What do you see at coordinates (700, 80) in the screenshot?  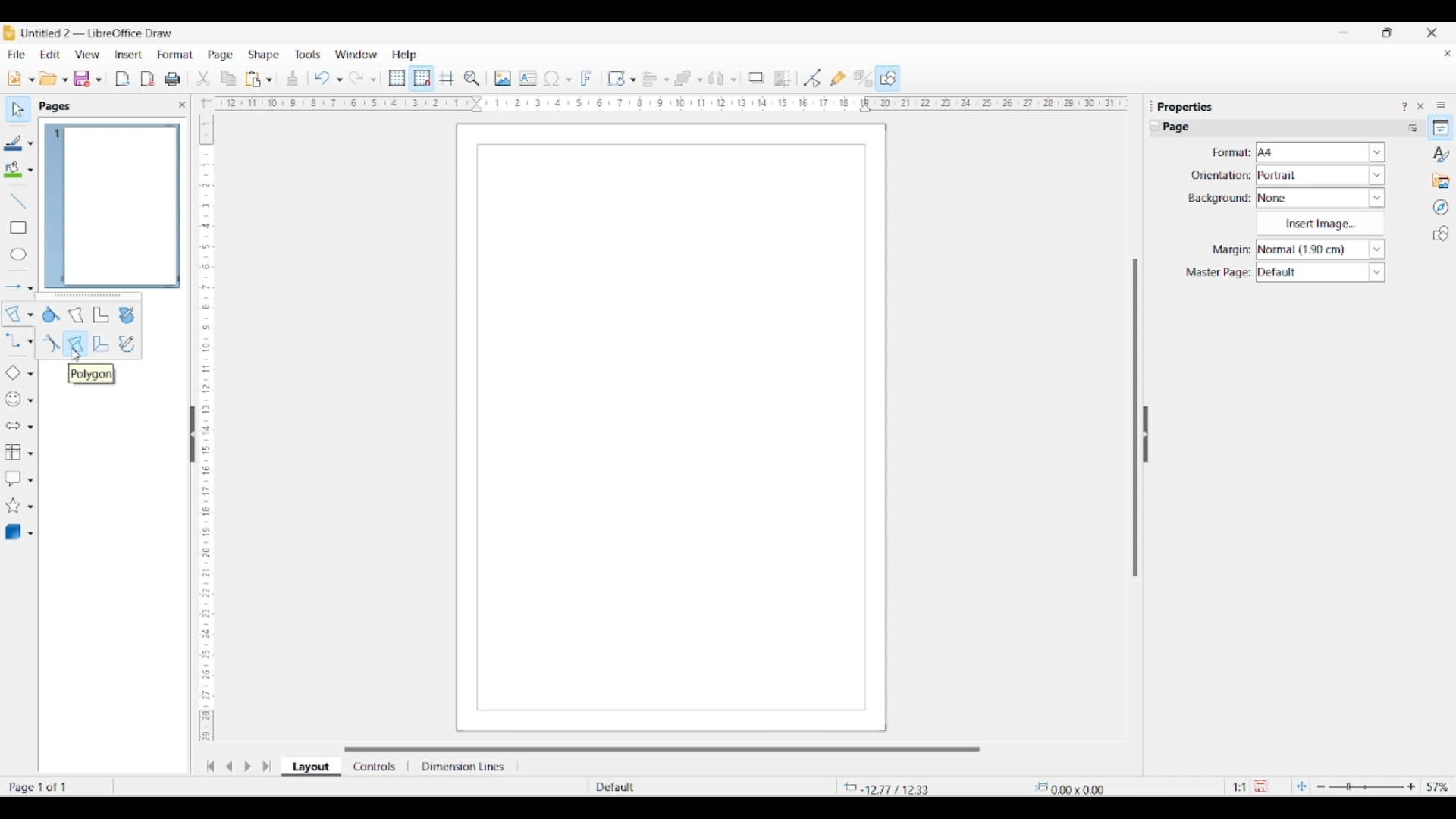 I see `Arrange objects options` at bounding box center [700, 80].